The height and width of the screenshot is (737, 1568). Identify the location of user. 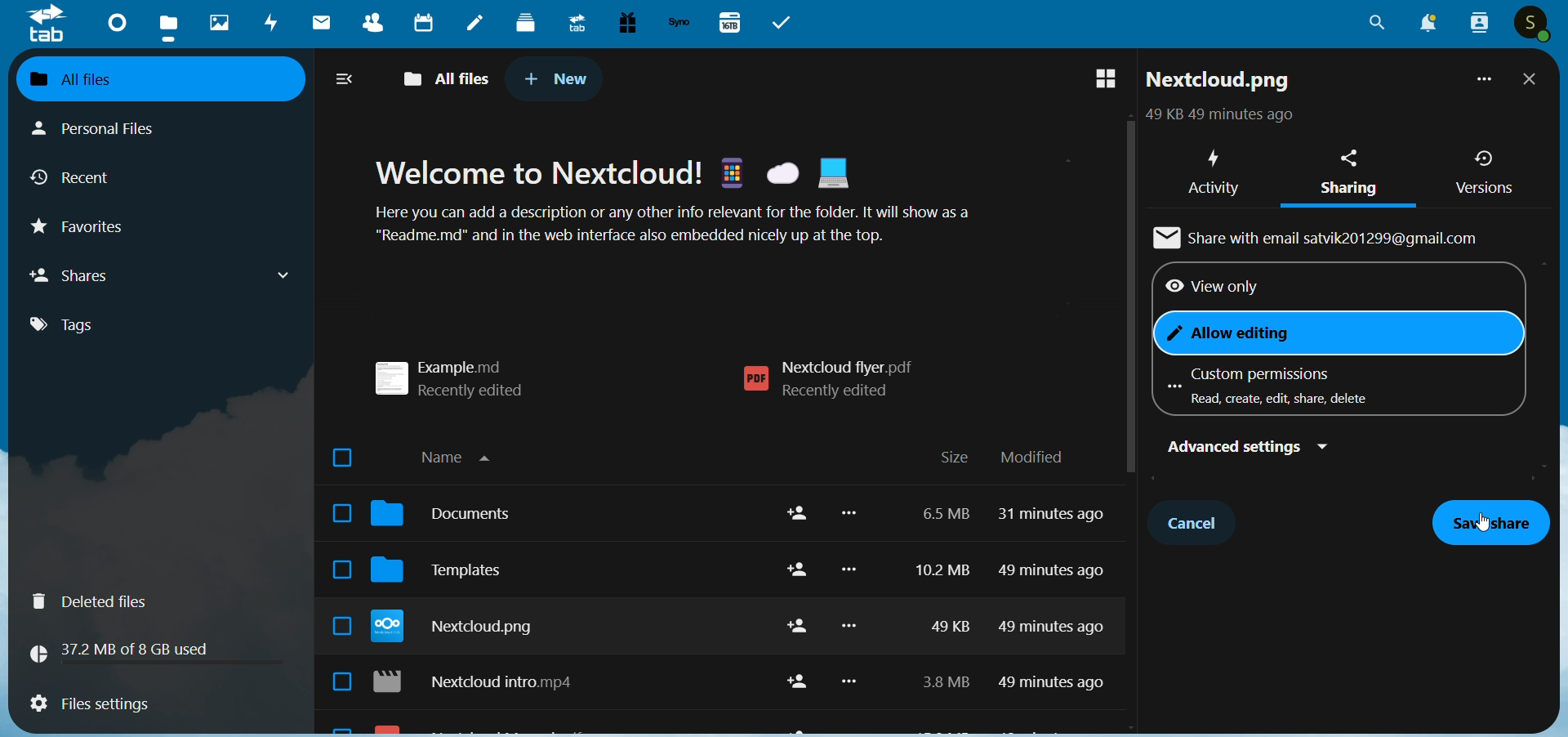
(1534, 25).